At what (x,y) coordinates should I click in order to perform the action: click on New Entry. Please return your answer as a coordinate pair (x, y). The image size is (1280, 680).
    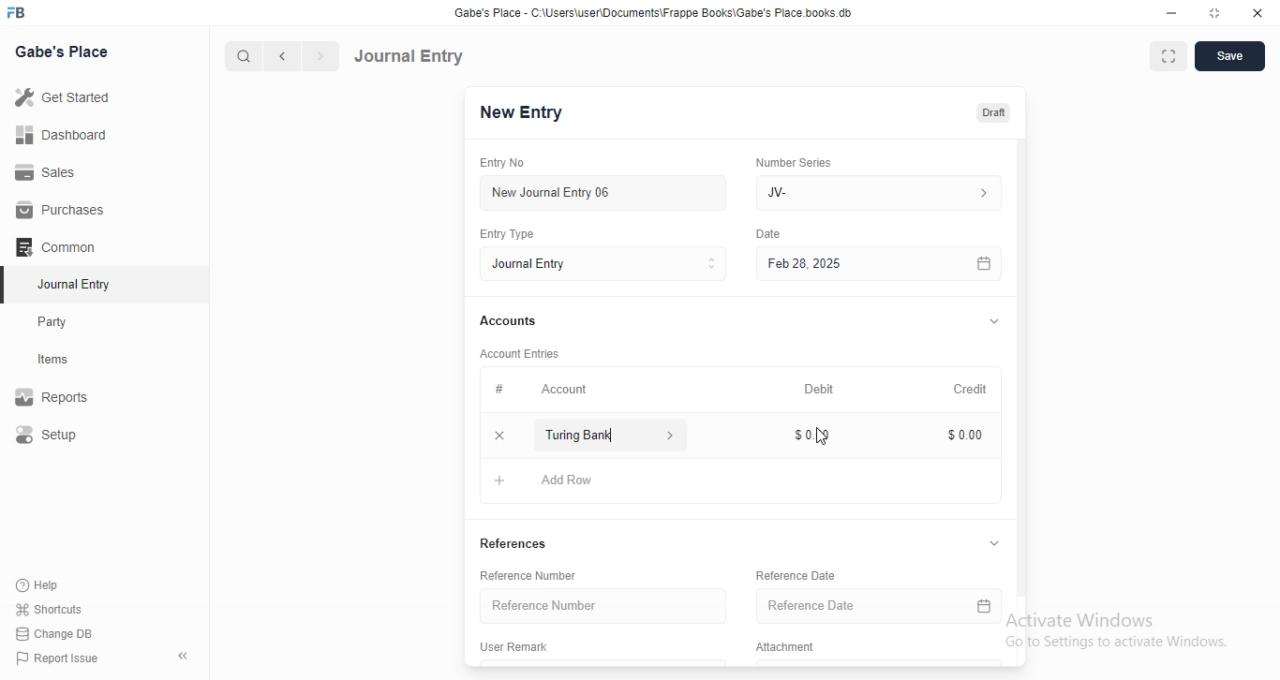
    Looking at the image, I should click on (519, 113).